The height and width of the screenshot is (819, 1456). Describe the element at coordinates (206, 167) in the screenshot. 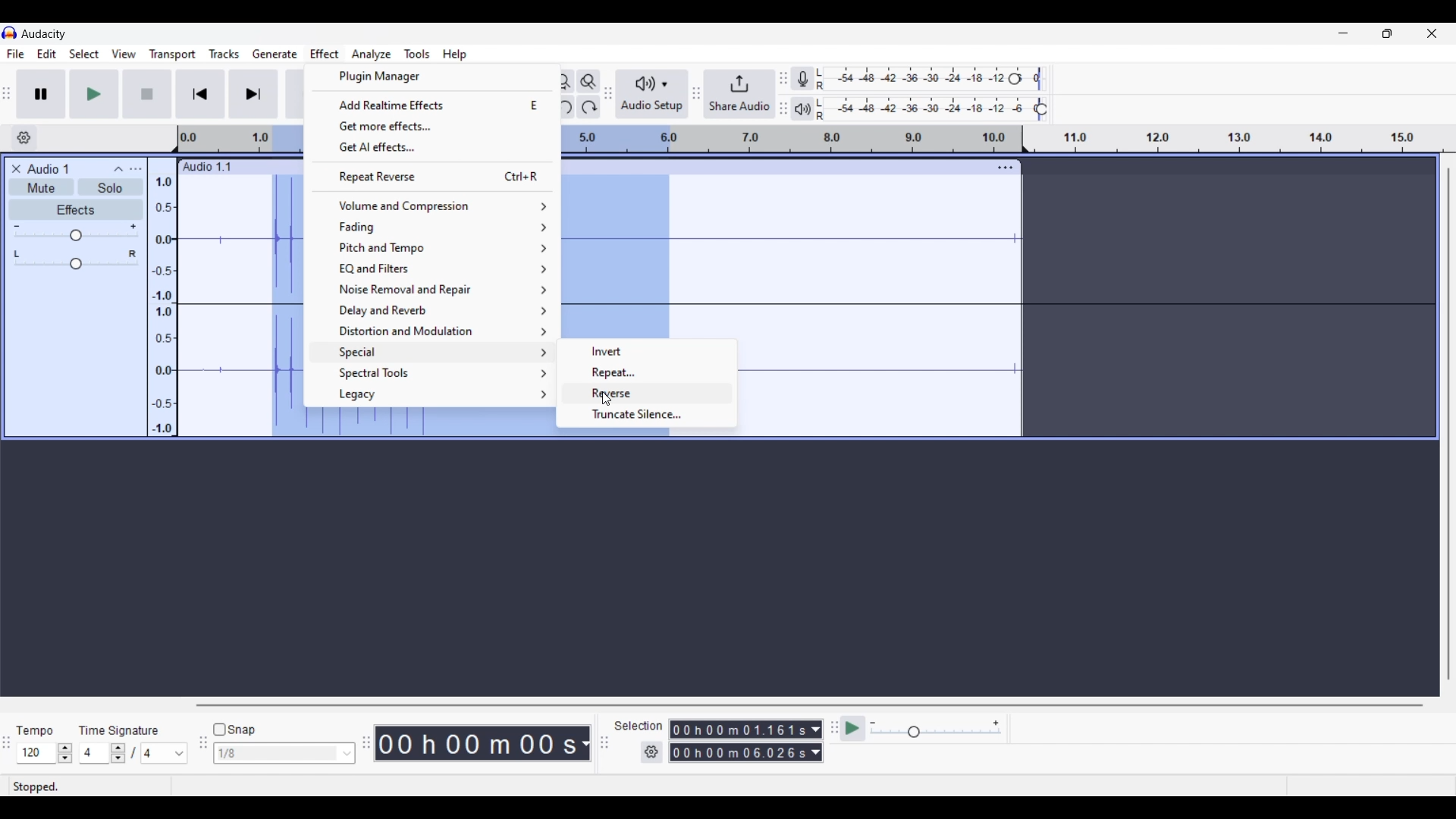

I see `Name of recorded audio` at that location.